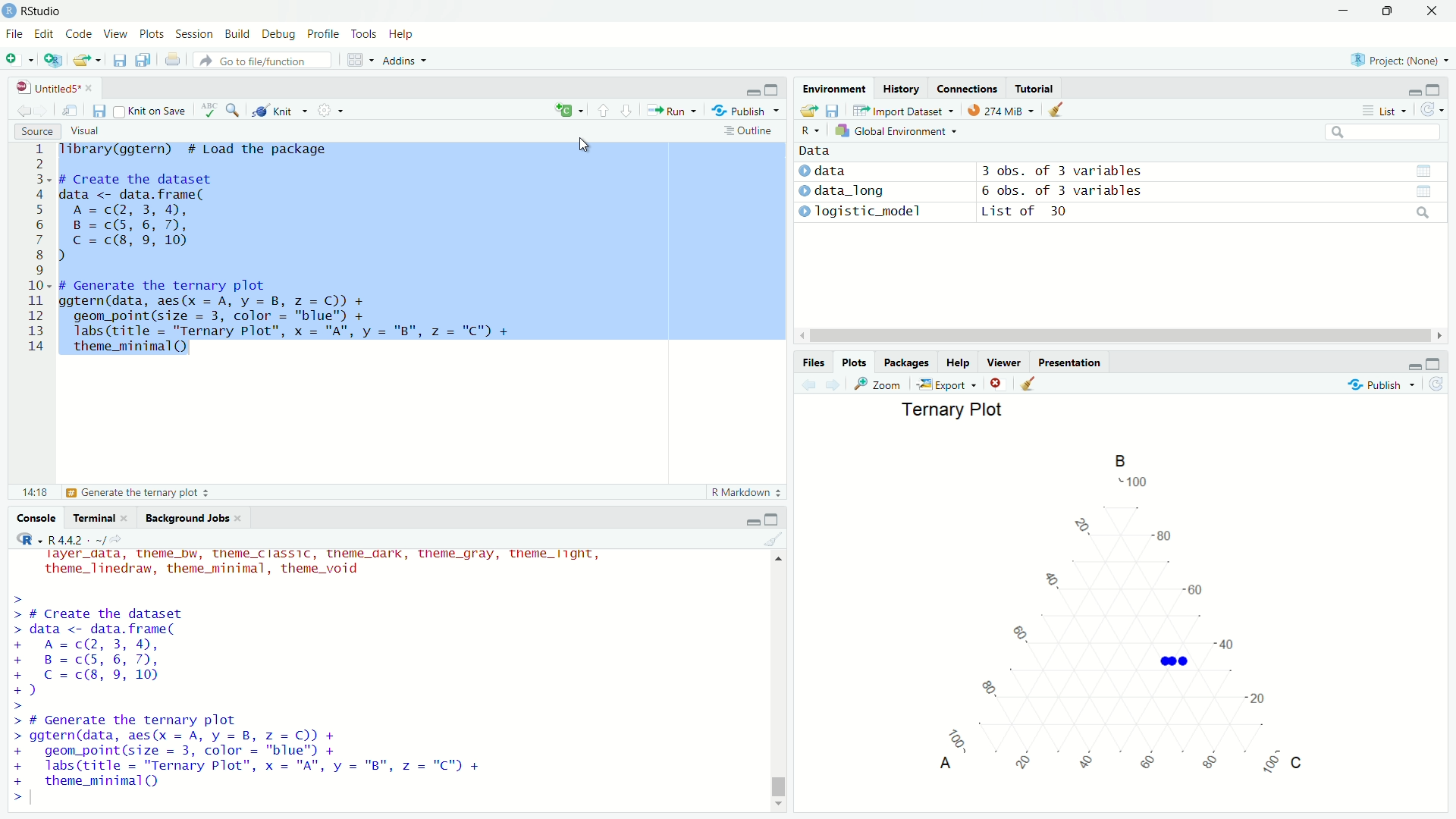 This screenshot has height=819, width=1456. What do you see at coordinates (1343, 11) in the screenshot?
I see `minimise` at bounding box center [1343, 11].